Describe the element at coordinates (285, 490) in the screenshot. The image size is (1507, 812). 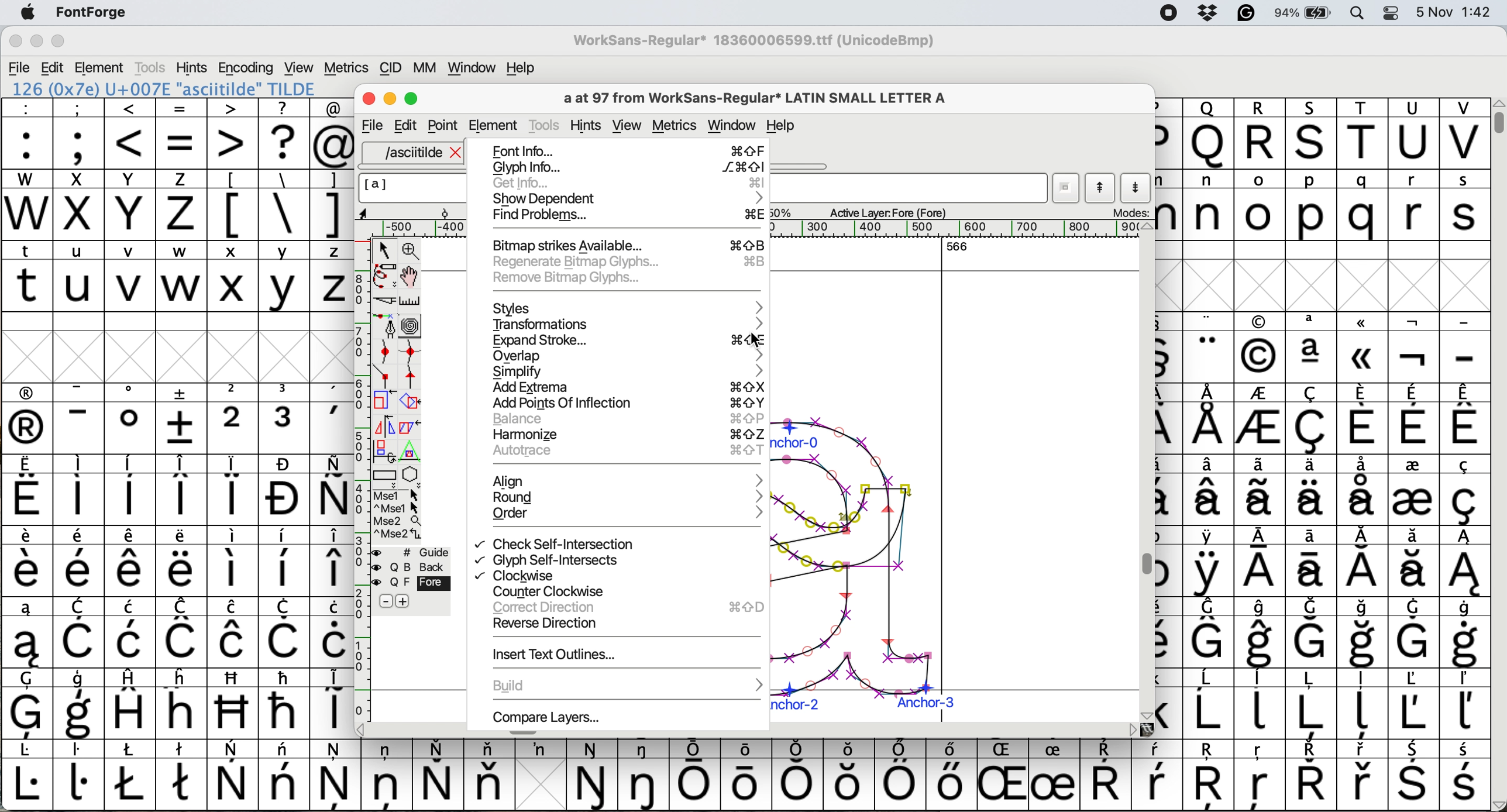
I see `symbol` at that location.